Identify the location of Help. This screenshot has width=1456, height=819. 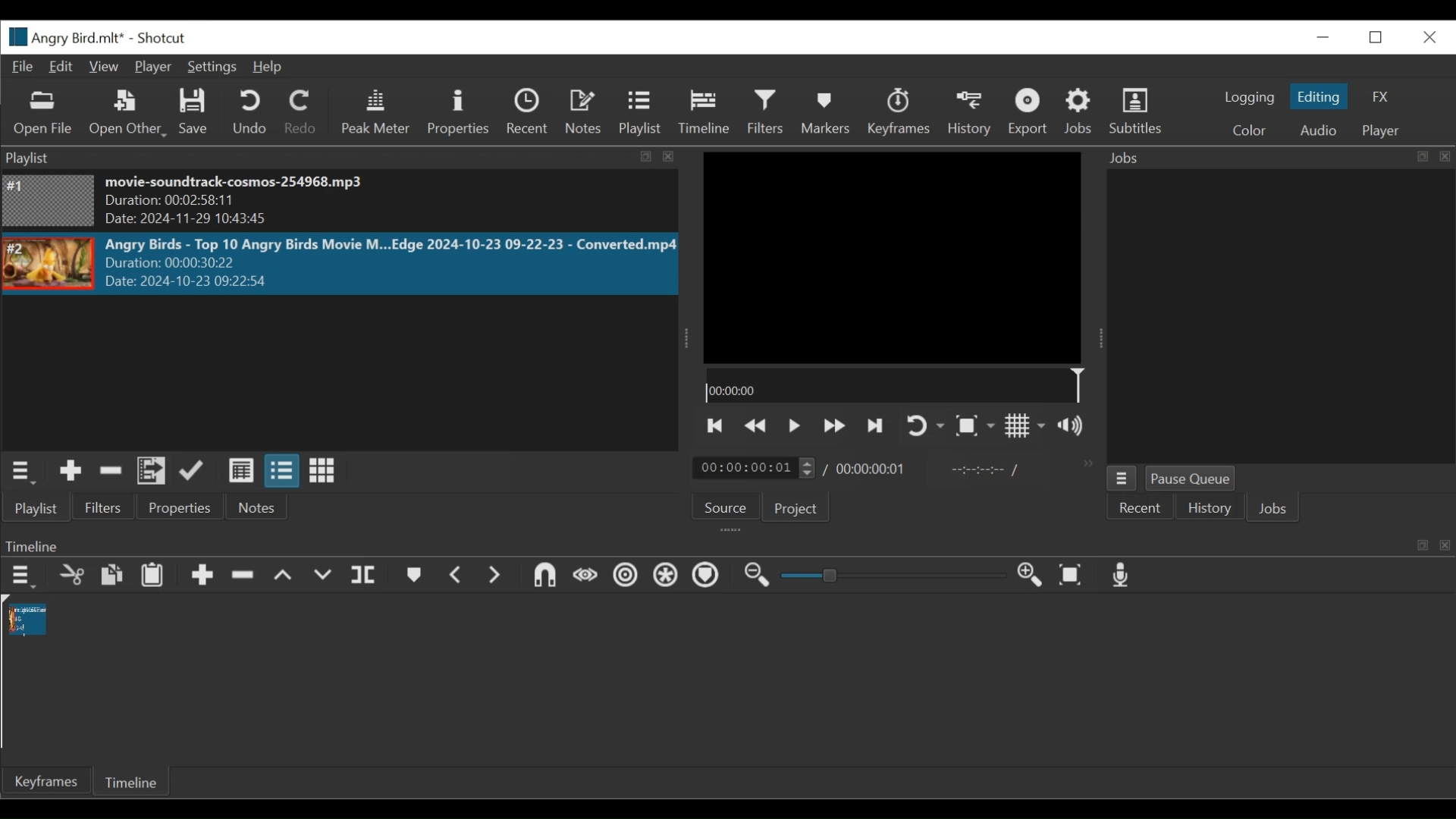
(266, 67).